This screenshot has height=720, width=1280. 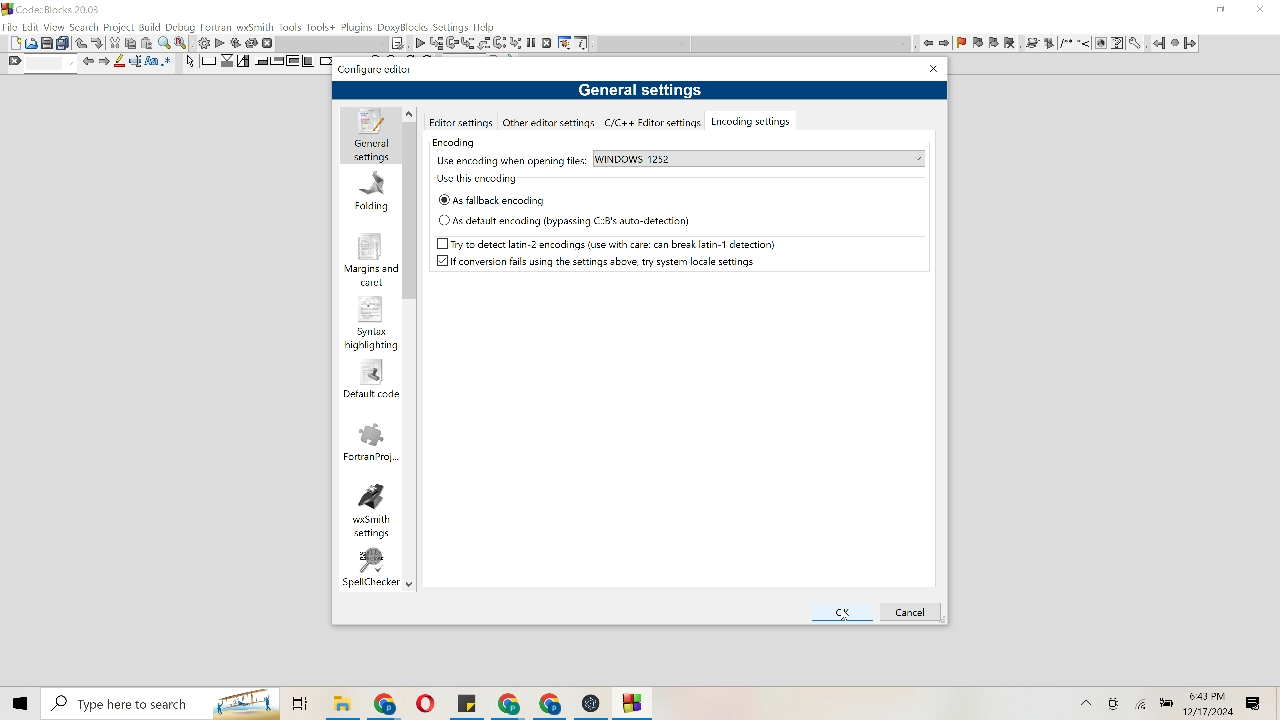 What do you see at coordinates (758, 159) in the screenshot?
I see `Windows 1252` at bounding box center [758, 159].